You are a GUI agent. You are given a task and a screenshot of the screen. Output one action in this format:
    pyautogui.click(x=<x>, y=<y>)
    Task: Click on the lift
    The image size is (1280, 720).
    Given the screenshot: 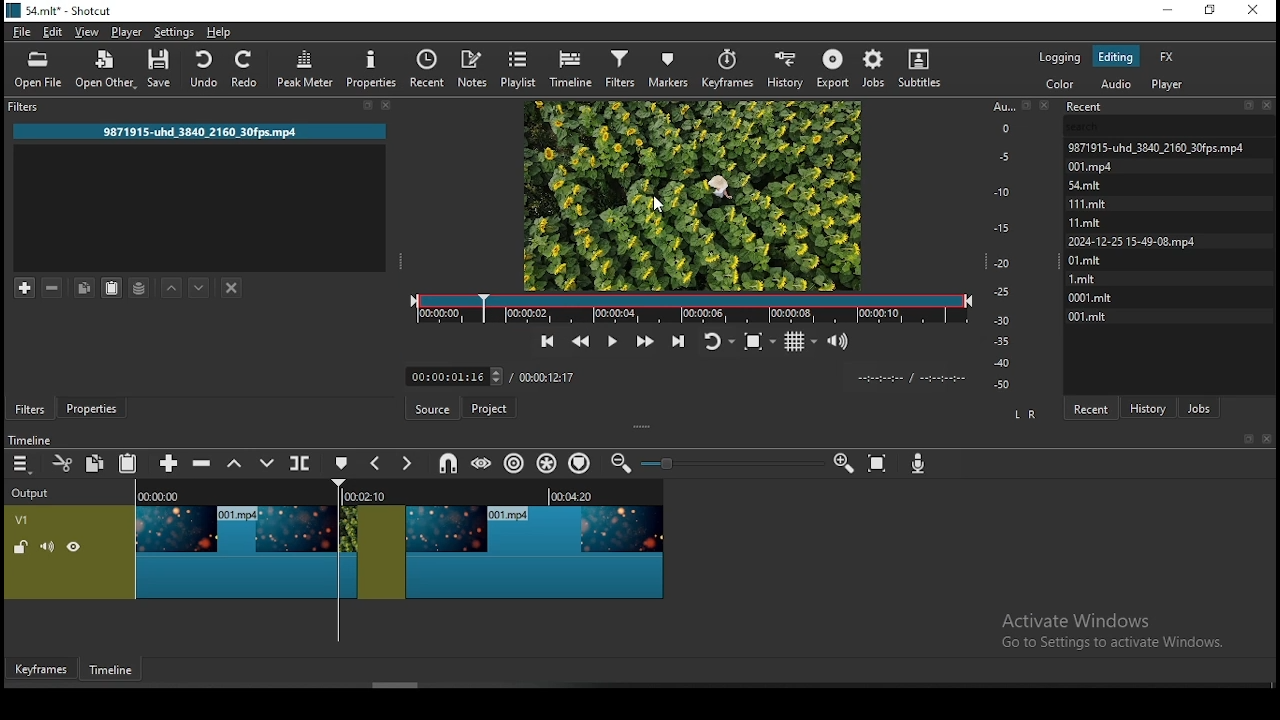 What is the action you would take?
    pyautogui.click(x=236, y=464)
    